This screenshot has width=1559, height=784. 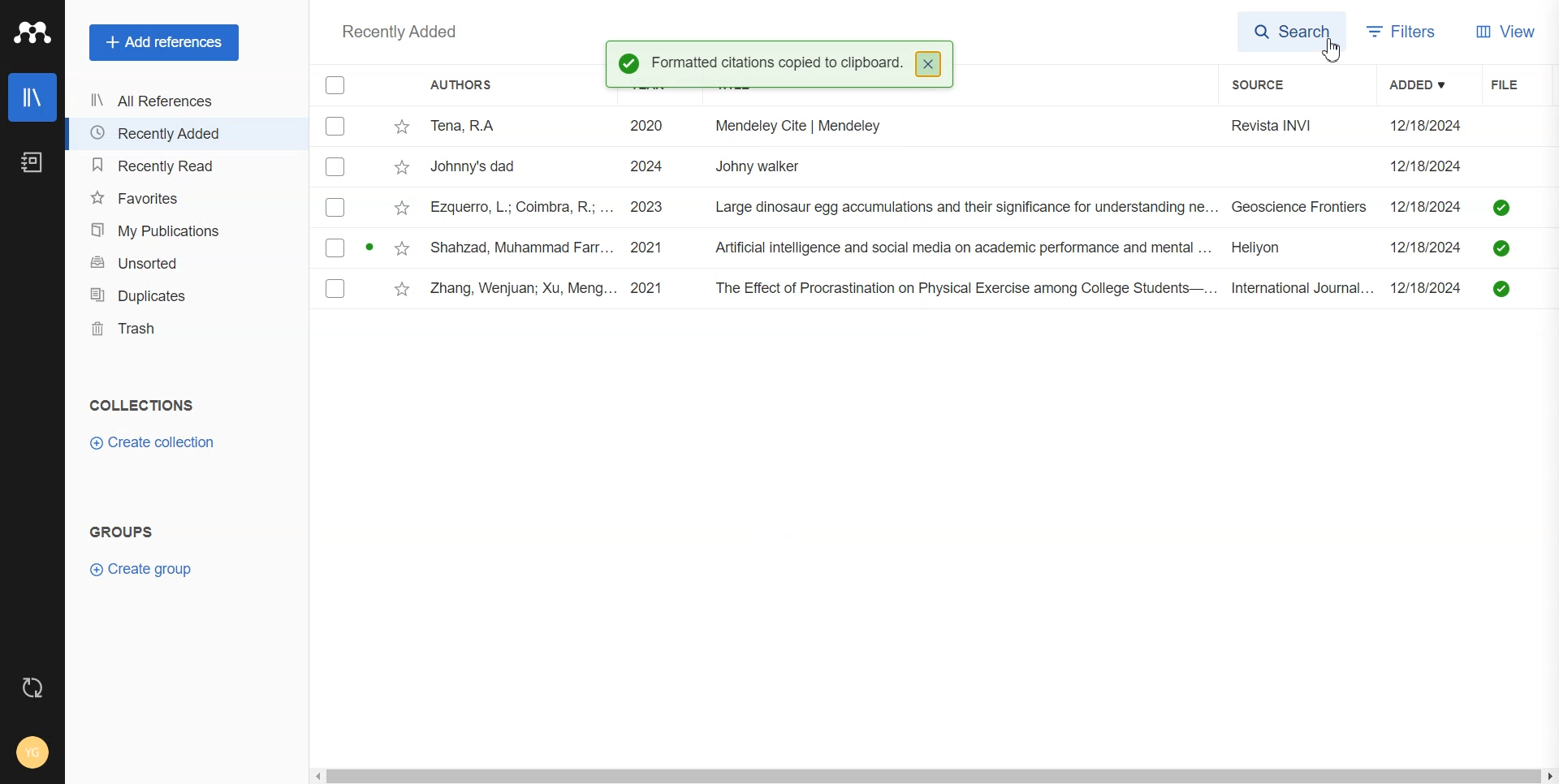 What do you see at coordinates (336, 126) in the screenshot?
I see `Checkbox` at bounding box center [336, 126].